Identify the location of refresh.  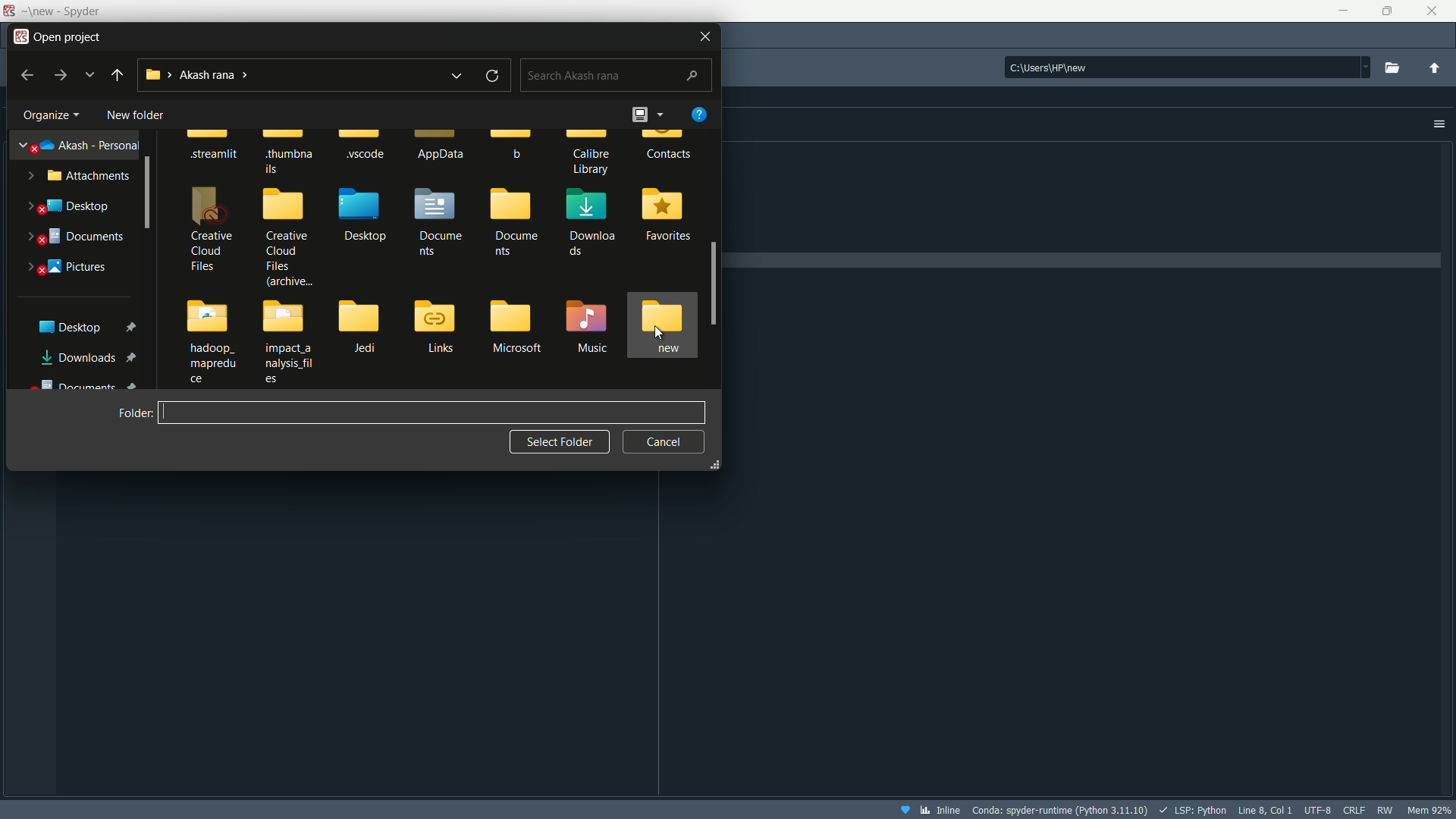
(493, 74).